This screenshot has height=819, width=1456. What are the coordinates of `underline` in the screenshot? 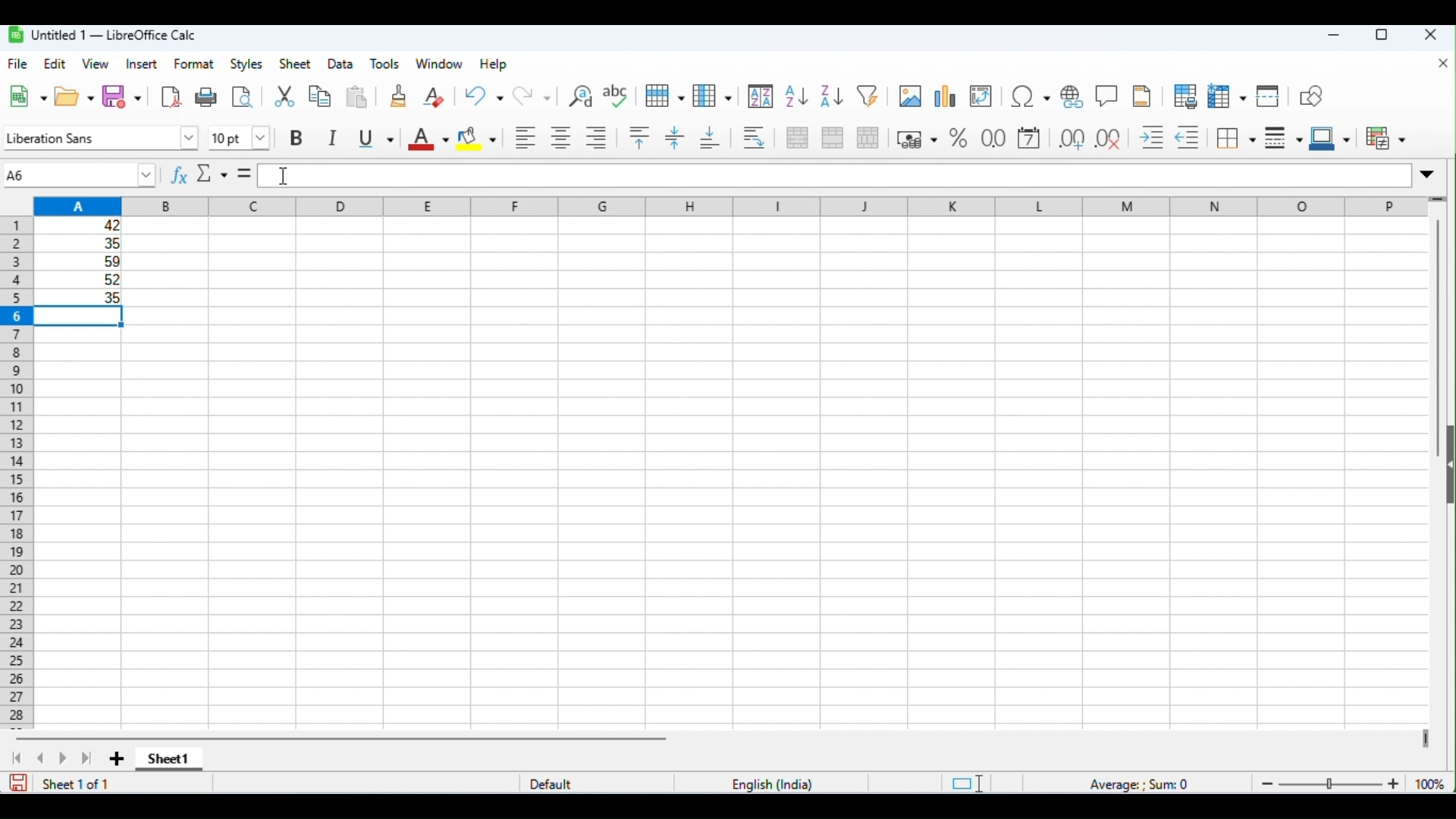 It's located at (374, 138).